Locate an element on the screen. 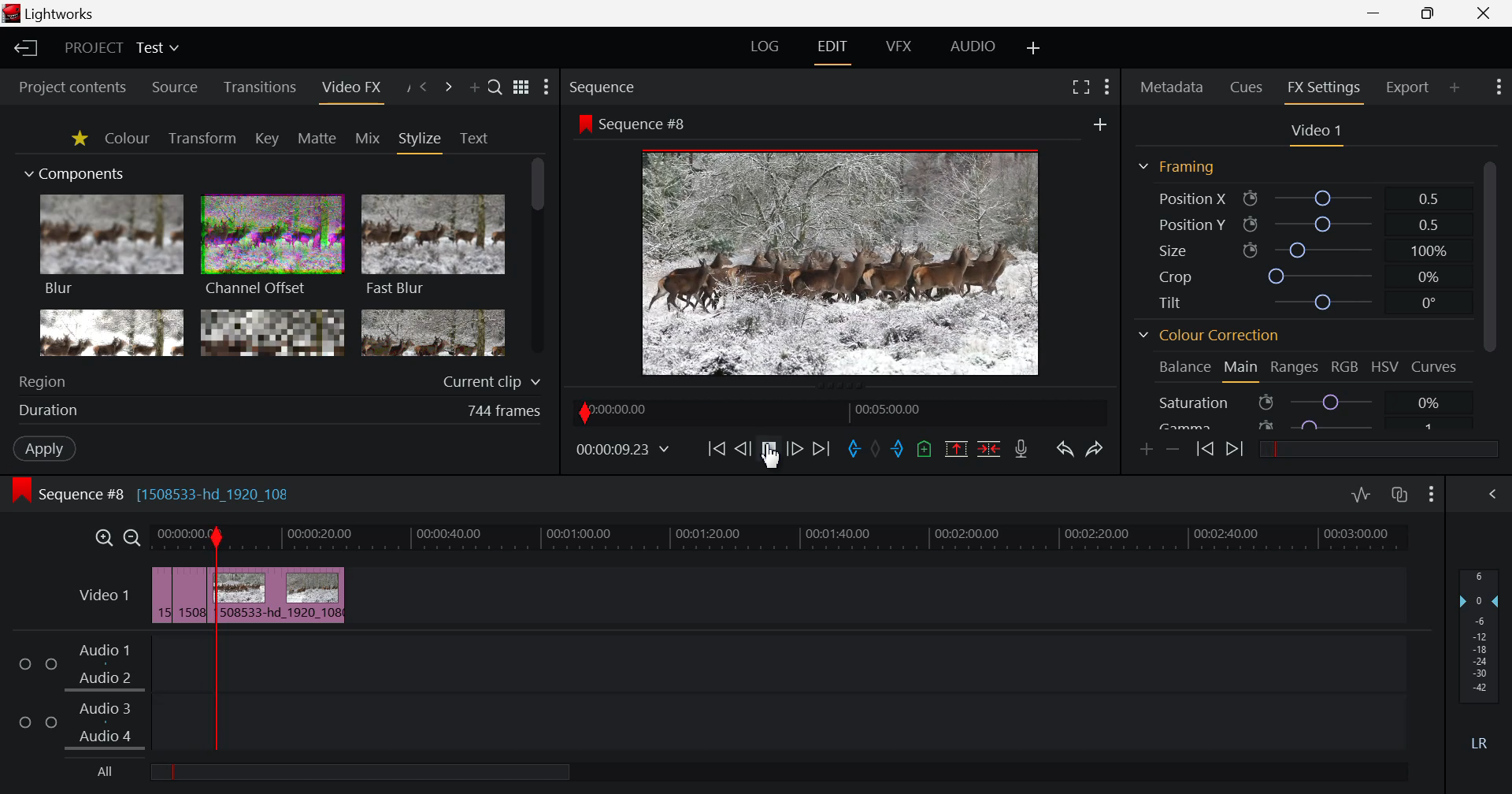 Image resolution: width=1512 pixels, height=794 pixels. Main Tab Open is located at coordinates (1240, 369).